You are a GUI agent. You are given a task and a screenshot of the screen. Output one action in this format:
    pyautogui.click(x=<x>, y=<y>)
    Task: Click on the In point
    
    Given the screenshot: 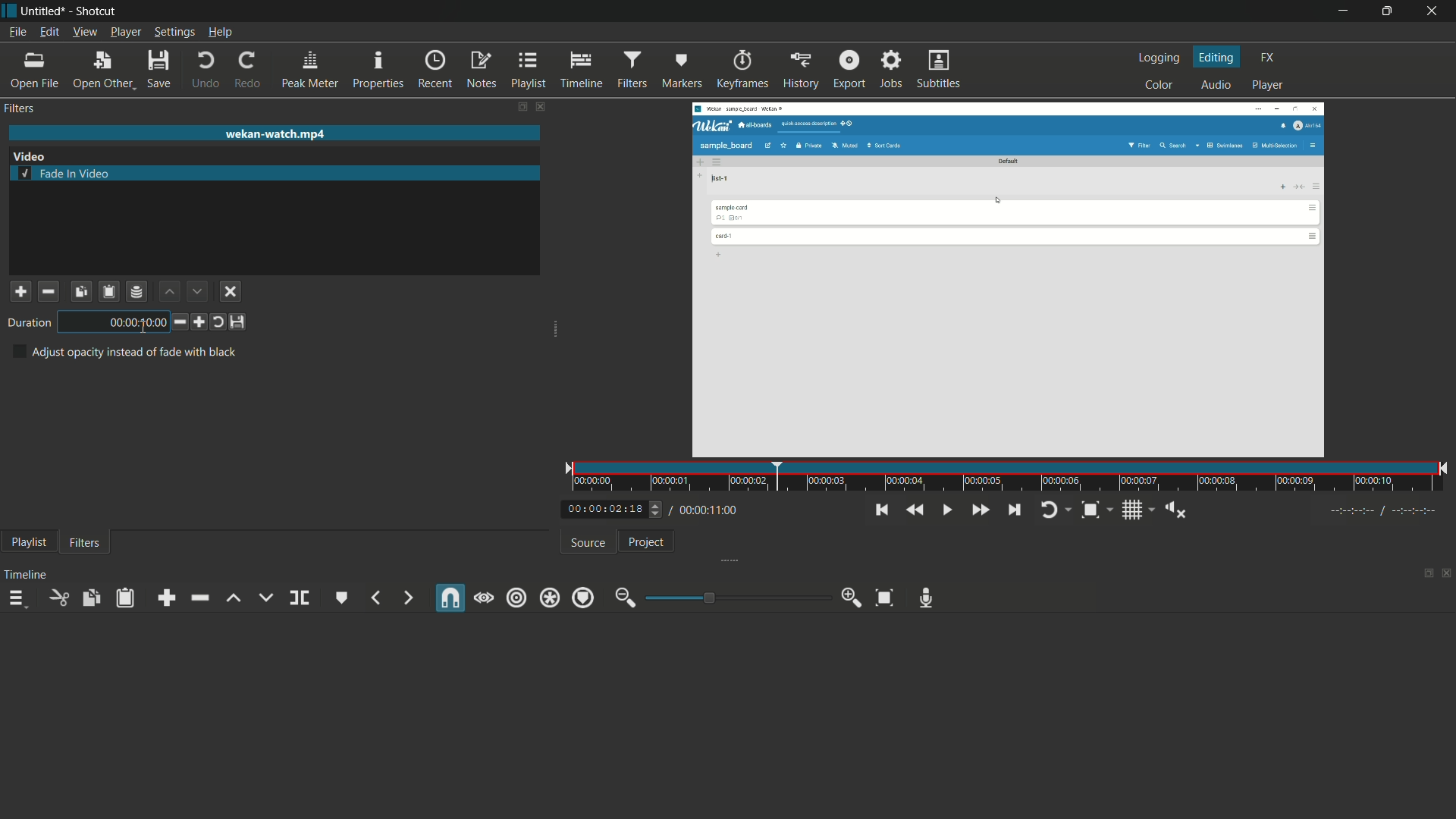 What is the action you would take?
    pyautogui.click(x=1385, y=512)
    